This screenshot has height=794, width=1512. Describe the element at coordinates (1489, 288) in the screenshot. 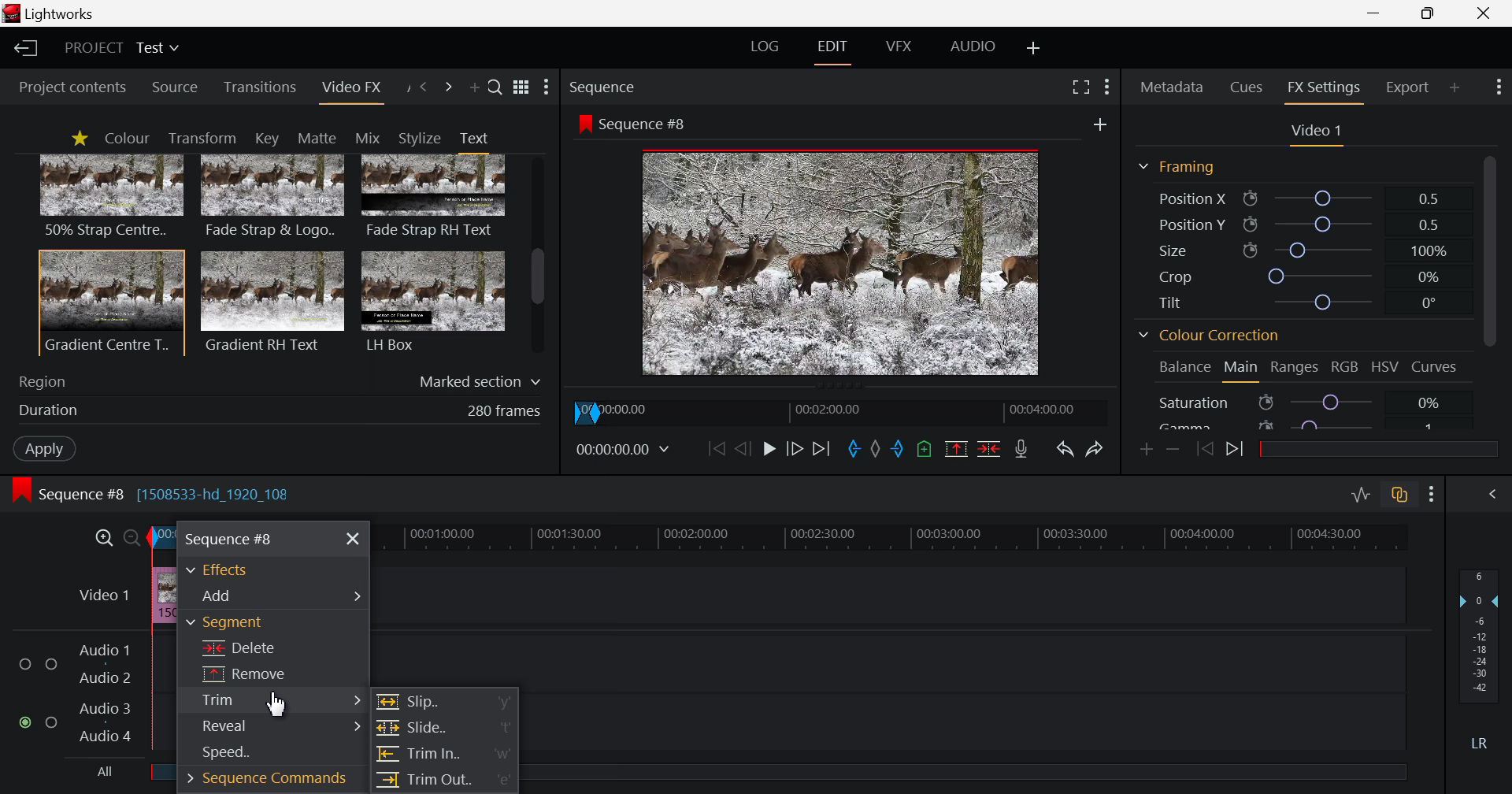

I see `Scroll Bar` at that location.